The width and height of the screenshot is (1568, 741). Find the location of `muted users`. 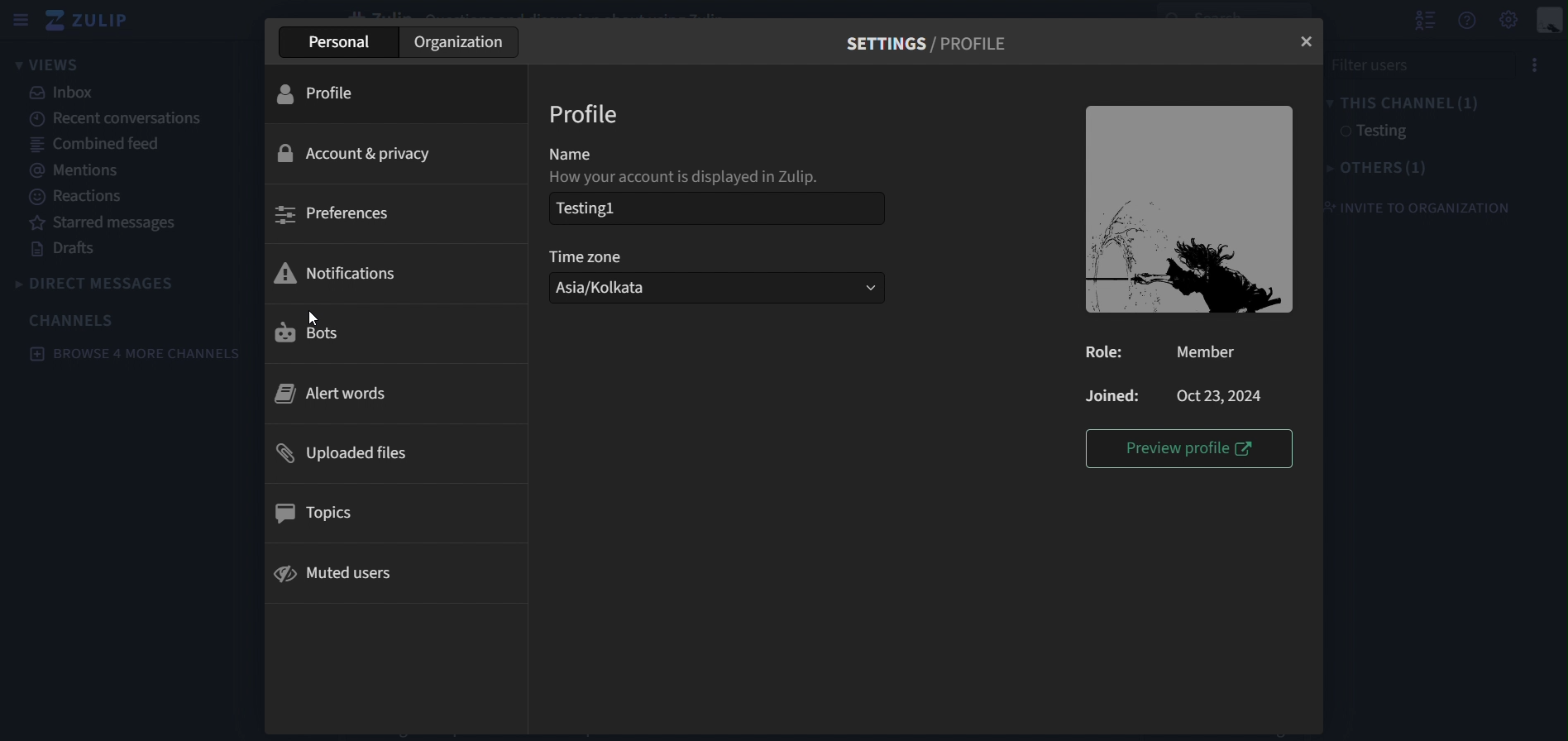

muted users is located at coordinates (336, 576).